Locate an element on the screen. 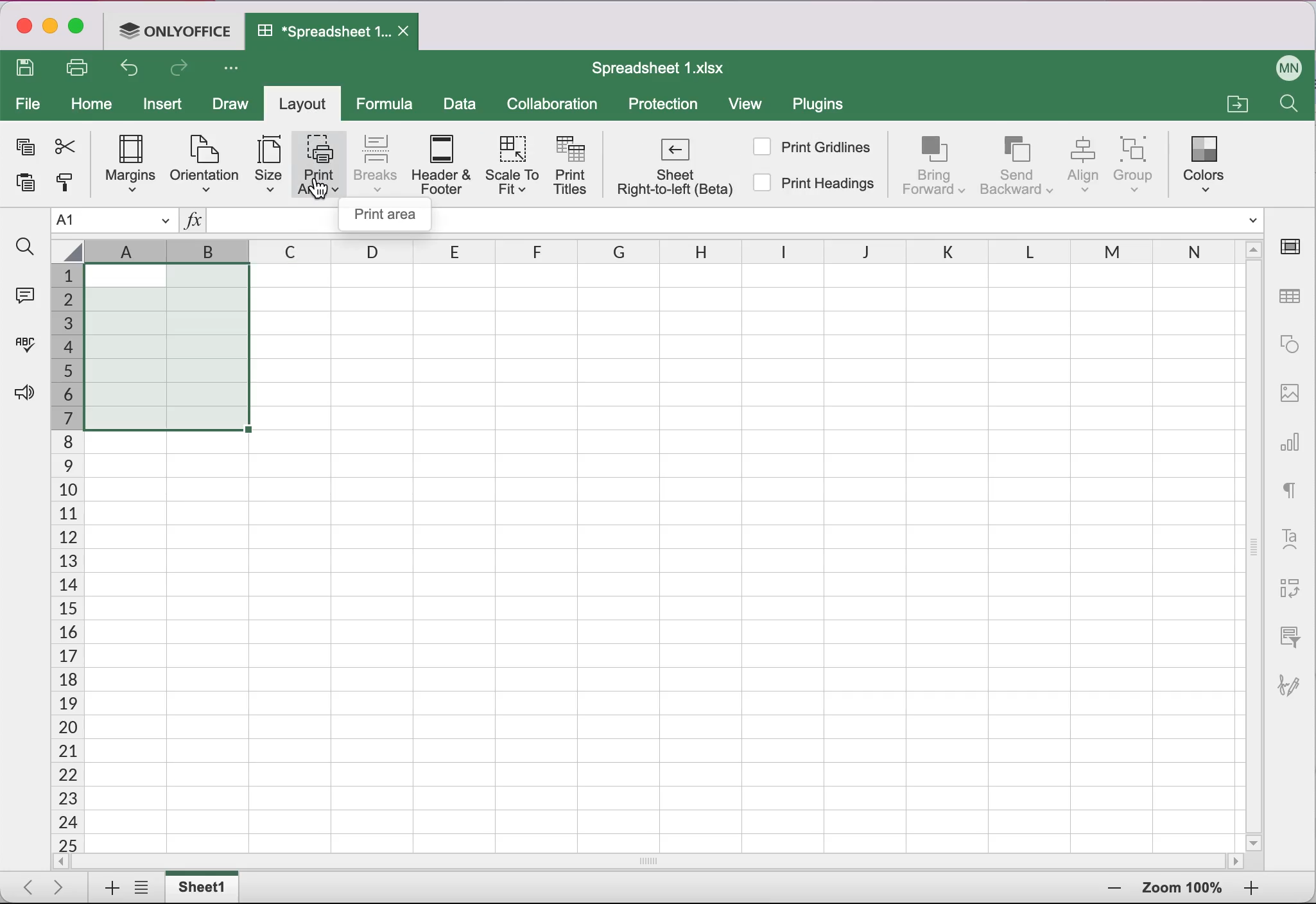 The width and height of the screenshot is (1316, 904). spell checking is located at coordinates (22, 349).